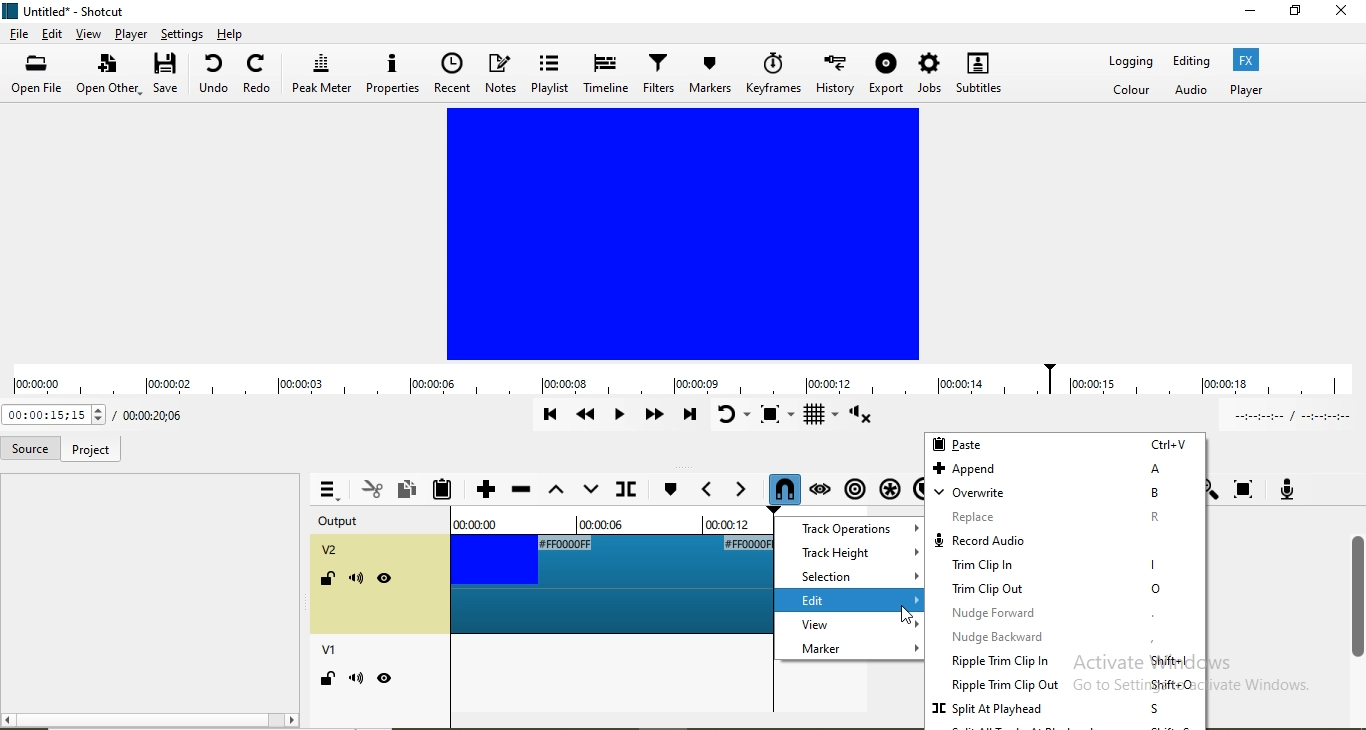 The image size is (1366, 730). I want to click on export, so click(887, 73).